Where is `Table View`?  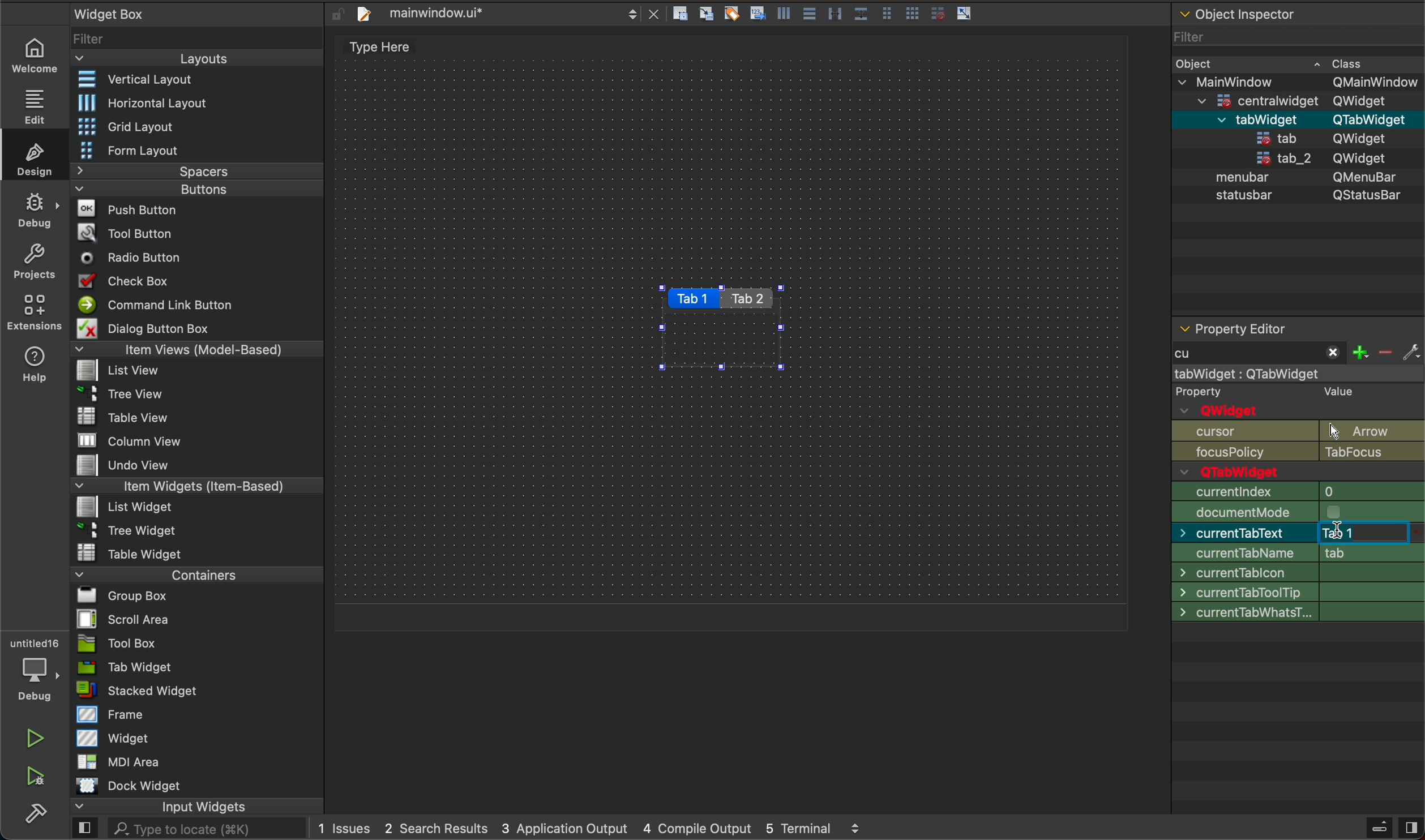 Table View is located at coordinates (109, 413).